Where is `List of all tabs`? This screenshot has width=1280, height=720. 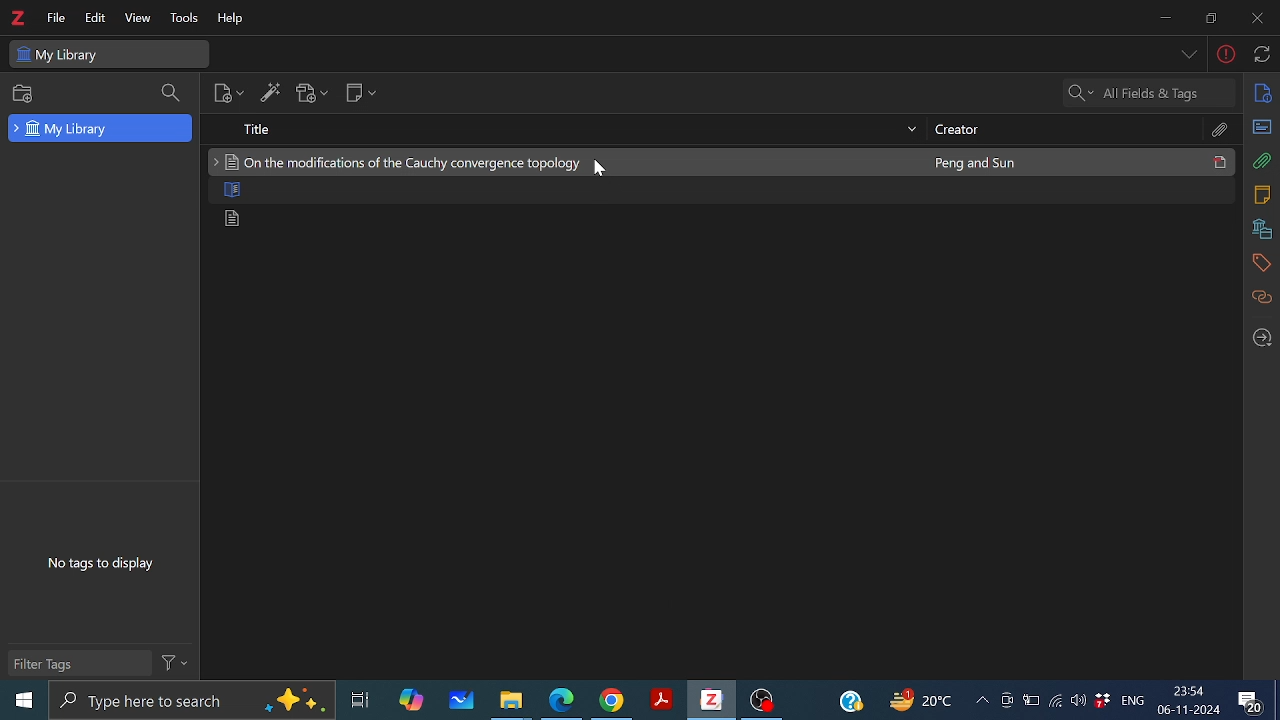 List of all tabs is located at coordinates (1186, 55).